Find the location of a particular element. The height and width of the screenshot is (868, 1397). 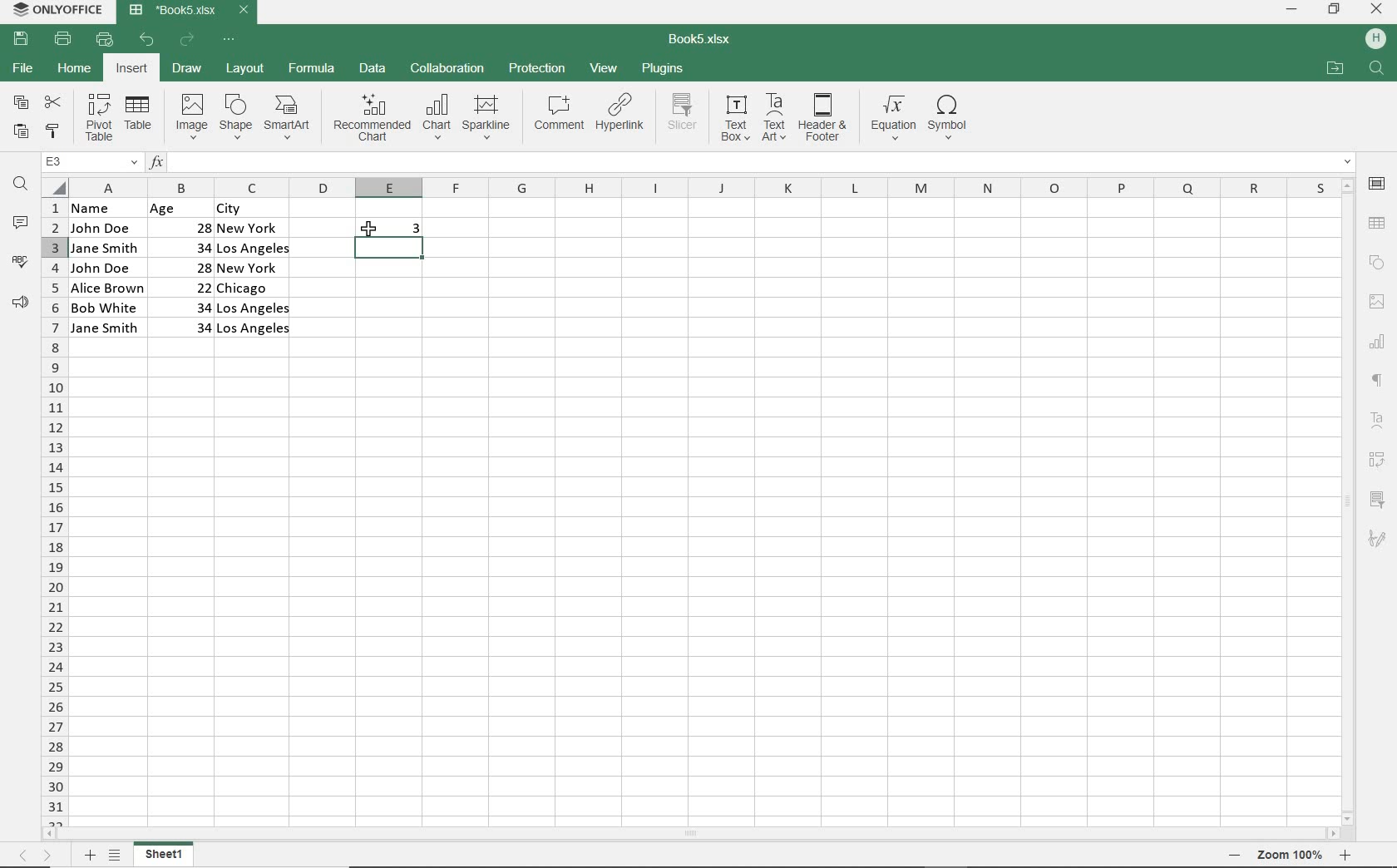

DOCUMENT NAME is located at coordinates (703, 42).